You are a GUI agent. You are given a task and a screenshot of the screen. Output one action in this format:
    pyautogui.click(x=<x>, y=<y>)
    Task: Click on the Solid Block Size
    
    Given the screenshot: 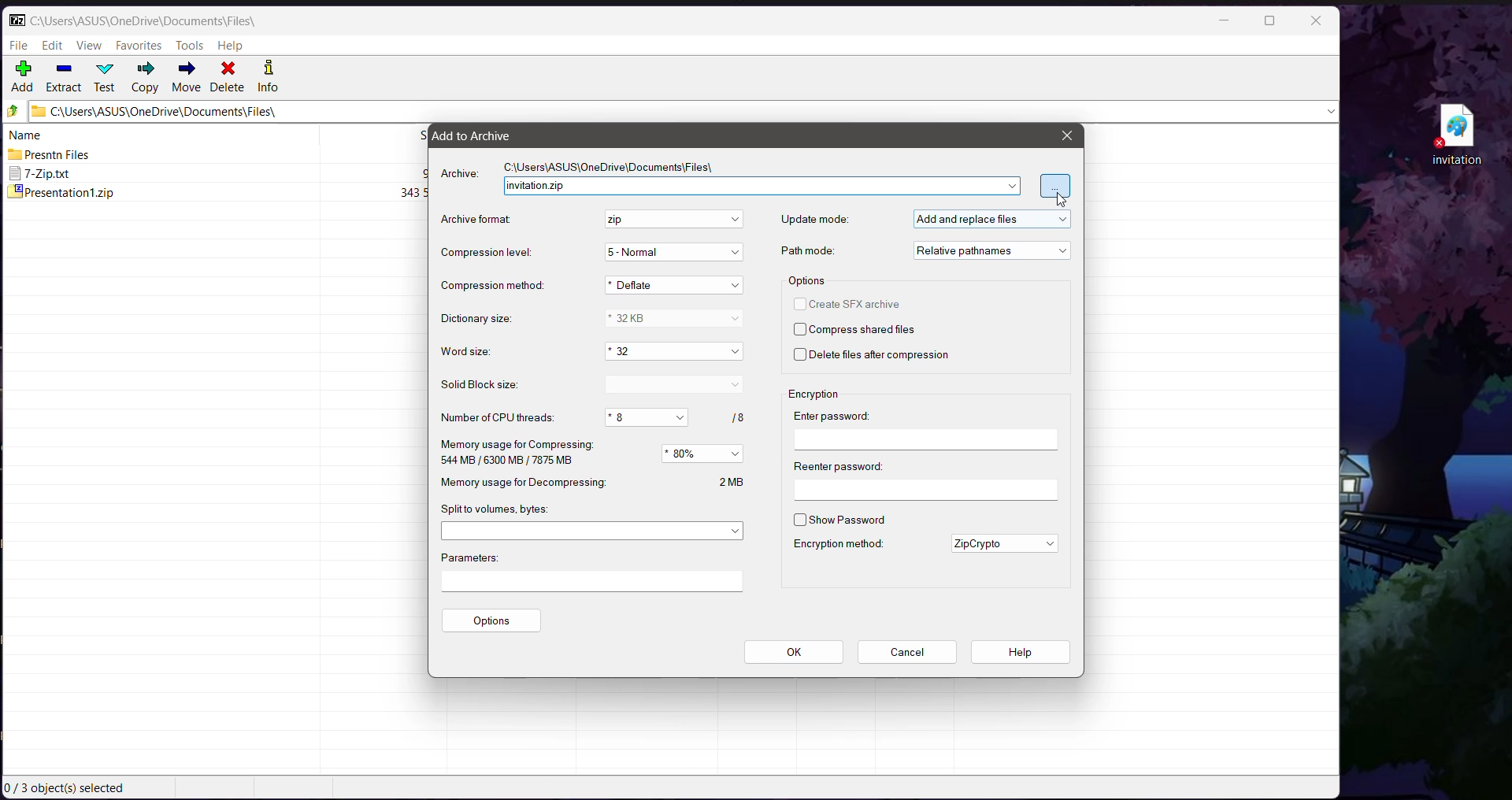 What is the action you would take?
    pyautogui.click(x=486, y=385)
    